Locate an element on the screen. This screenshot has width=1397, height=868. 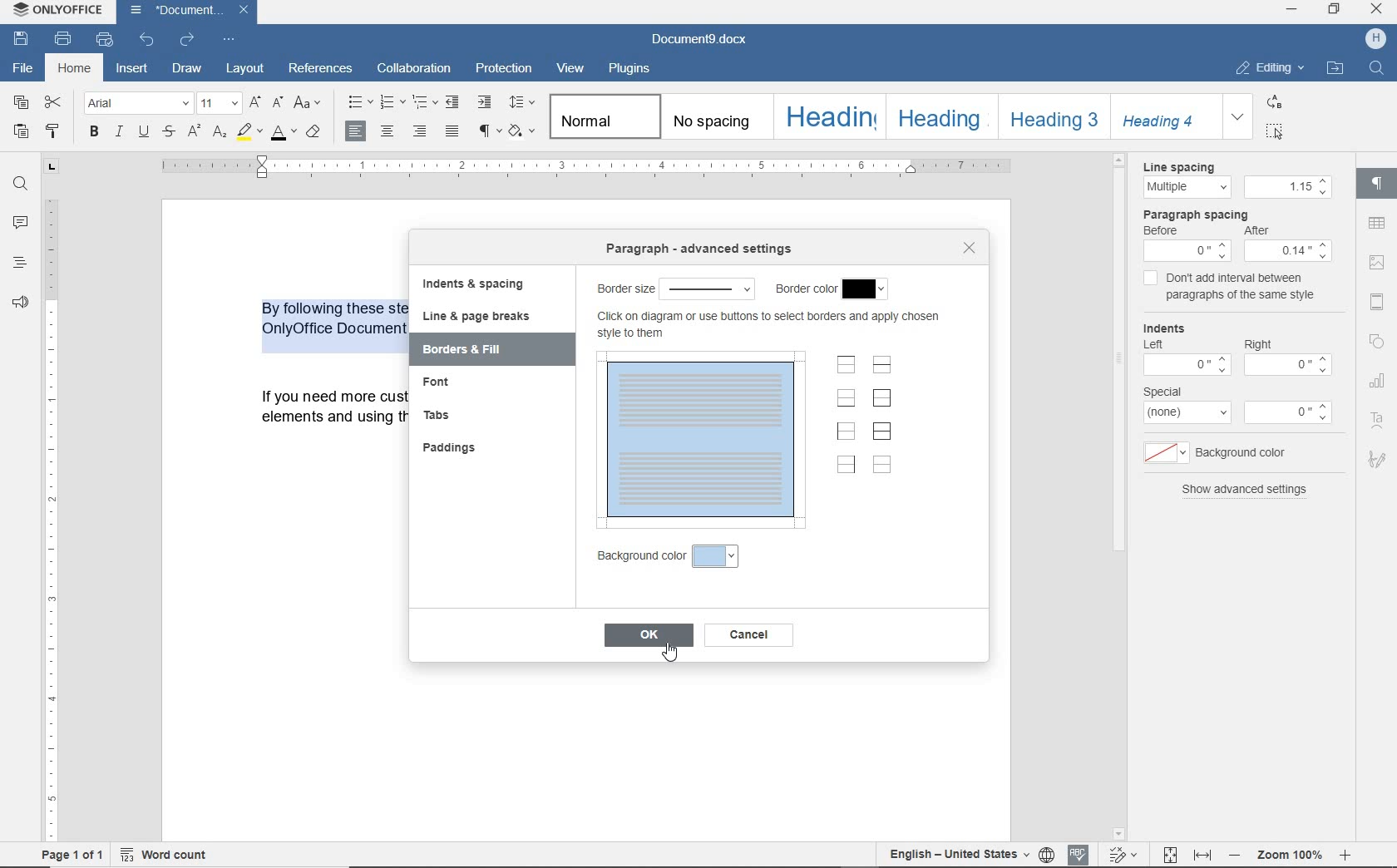
background color is located at coordinates (717, 556).